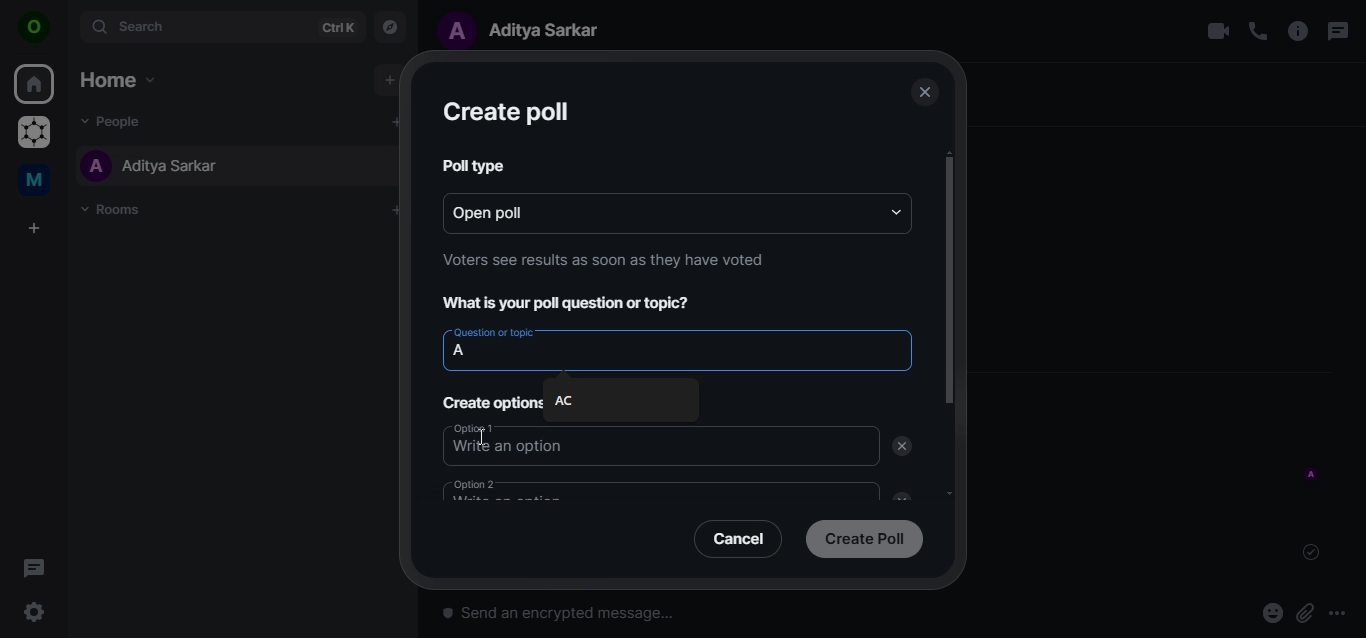 This screenshot has width=1366, height=638. I want to click on cursor, so click(485, 436).